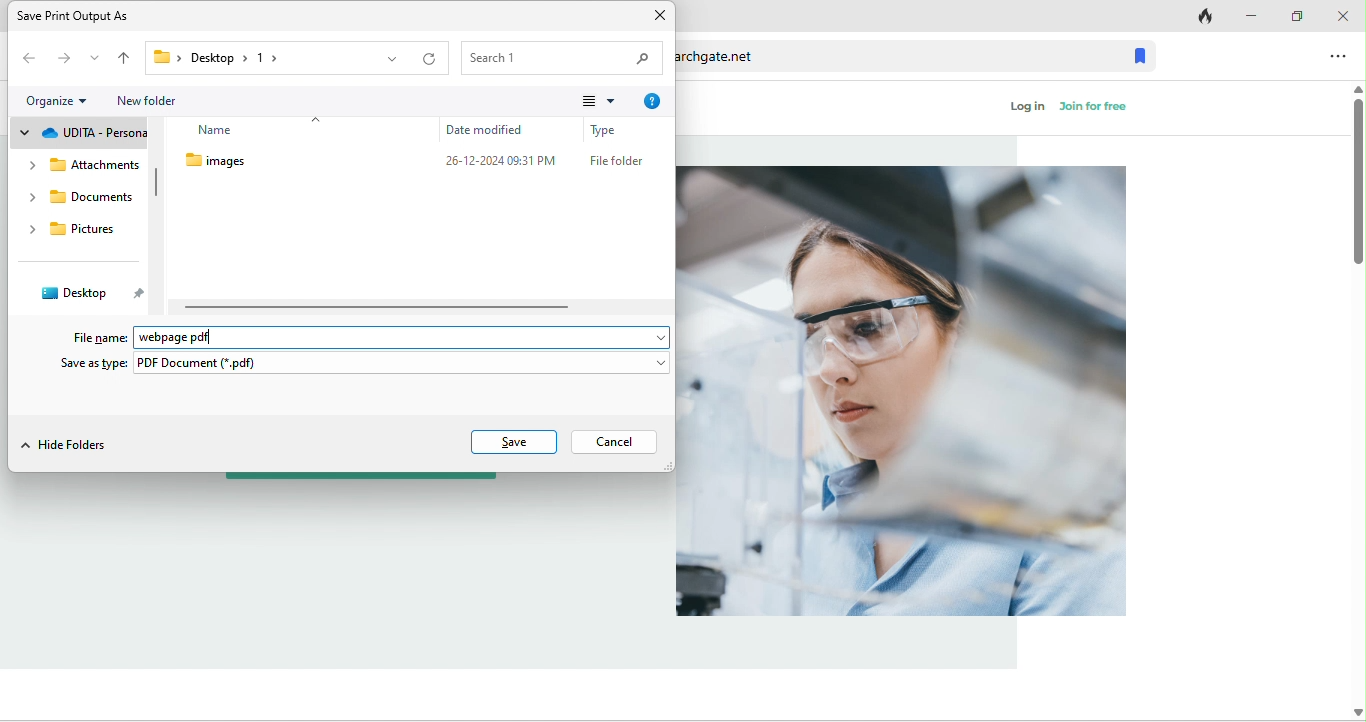  What do you see at coordinates (1342, 14) in the screenshot?
I see `close` at bounding box center [1342, 14].